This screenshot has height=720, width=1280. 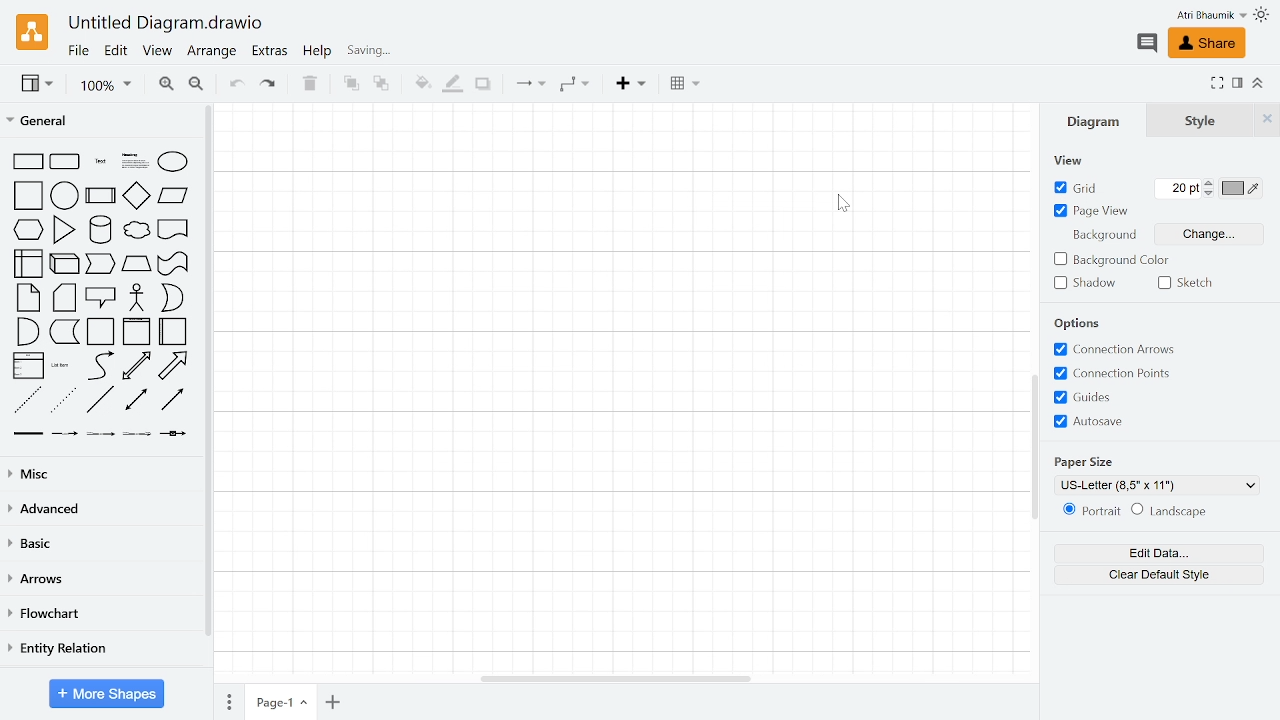 I want to click on Clear default style, so click(x=1160, y=576).